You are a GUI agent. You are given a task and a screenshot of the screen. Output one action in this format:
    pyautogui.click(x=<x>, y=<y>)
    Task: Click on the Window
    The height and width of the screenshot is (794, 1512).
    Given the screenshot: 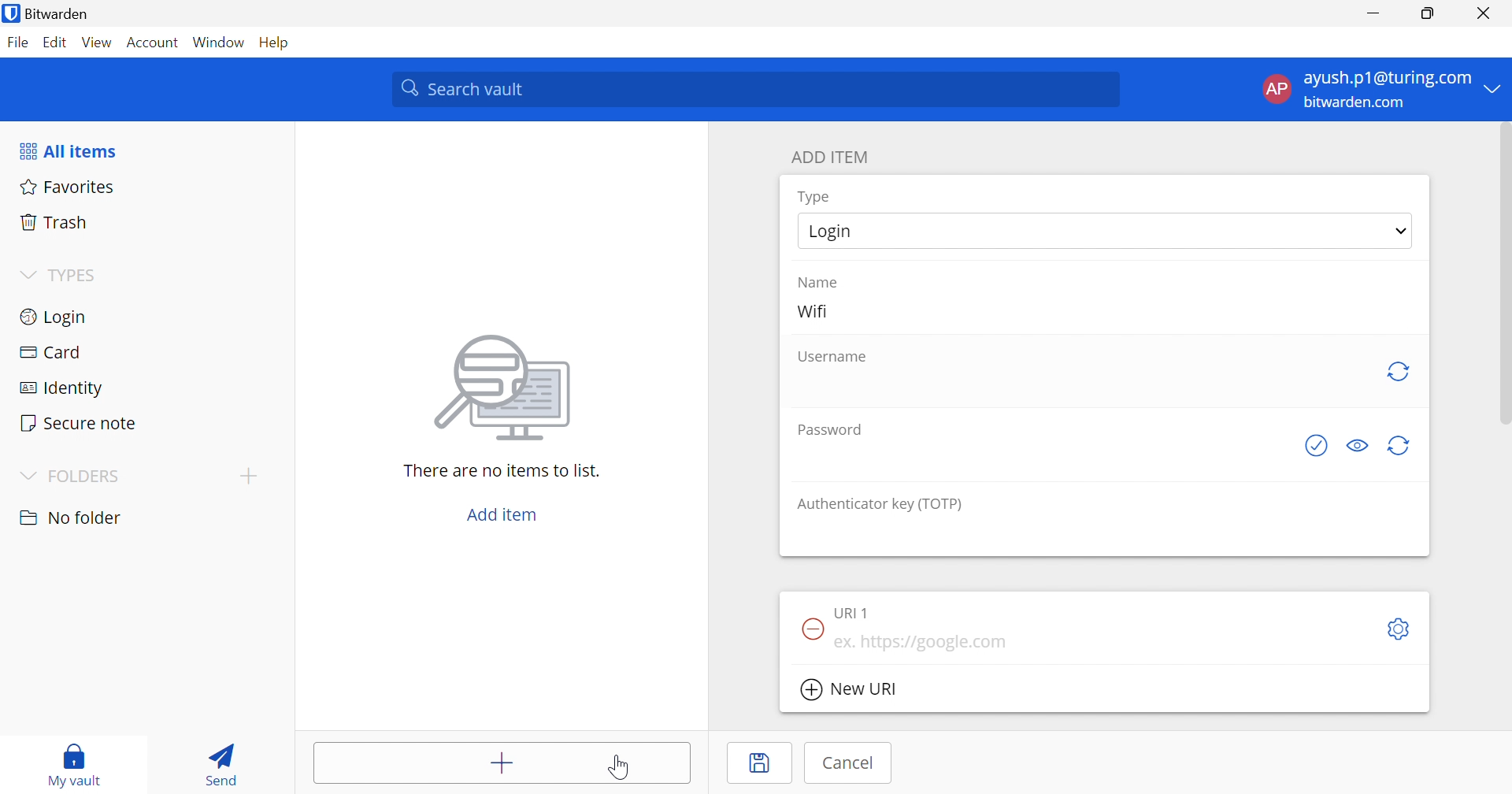 What is the action you would take?
    pyautogui.click(x=220, y=43)
    